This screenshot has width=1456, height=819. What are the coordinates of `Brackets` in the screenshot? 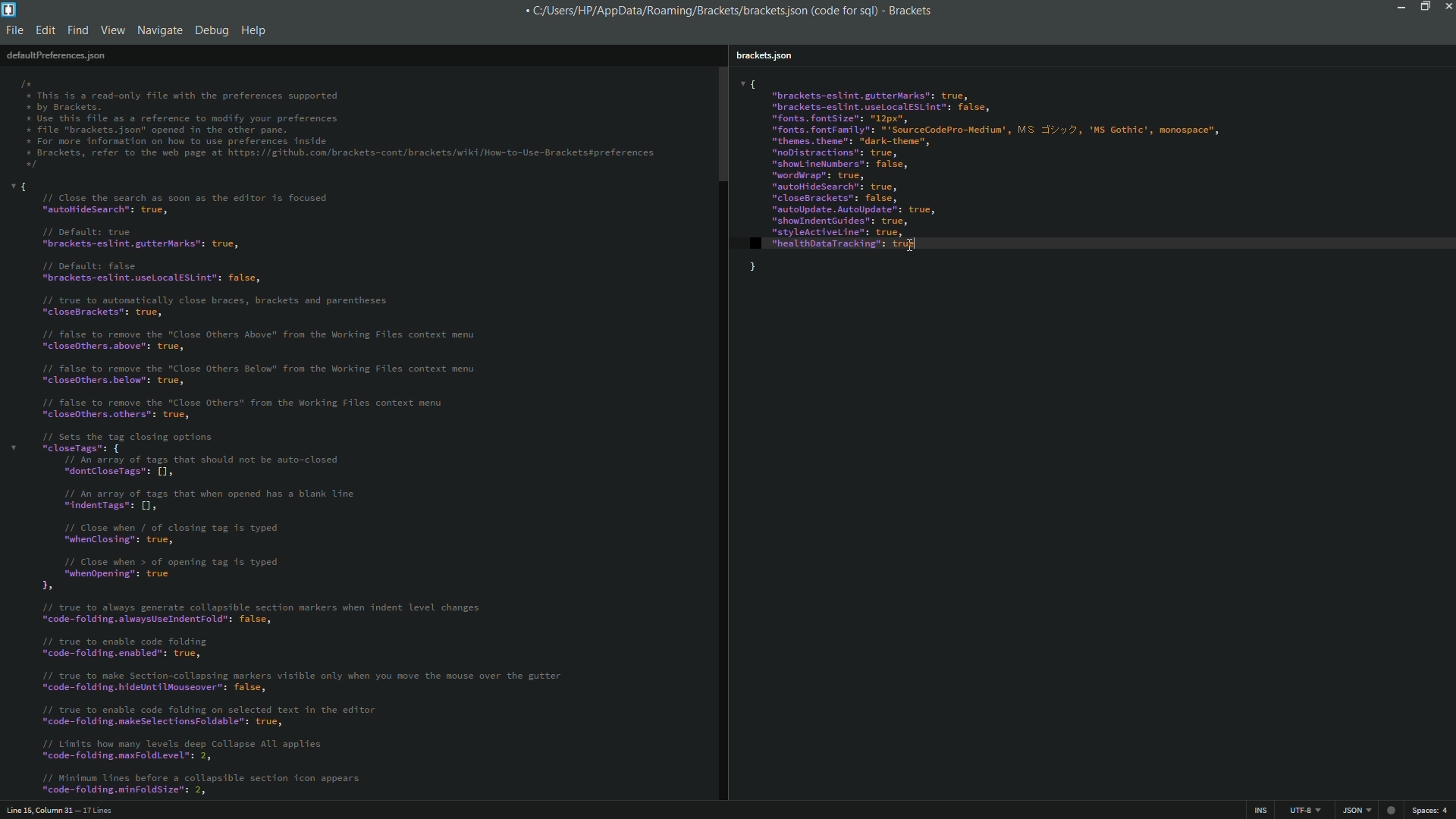 It's located at (904, 11).